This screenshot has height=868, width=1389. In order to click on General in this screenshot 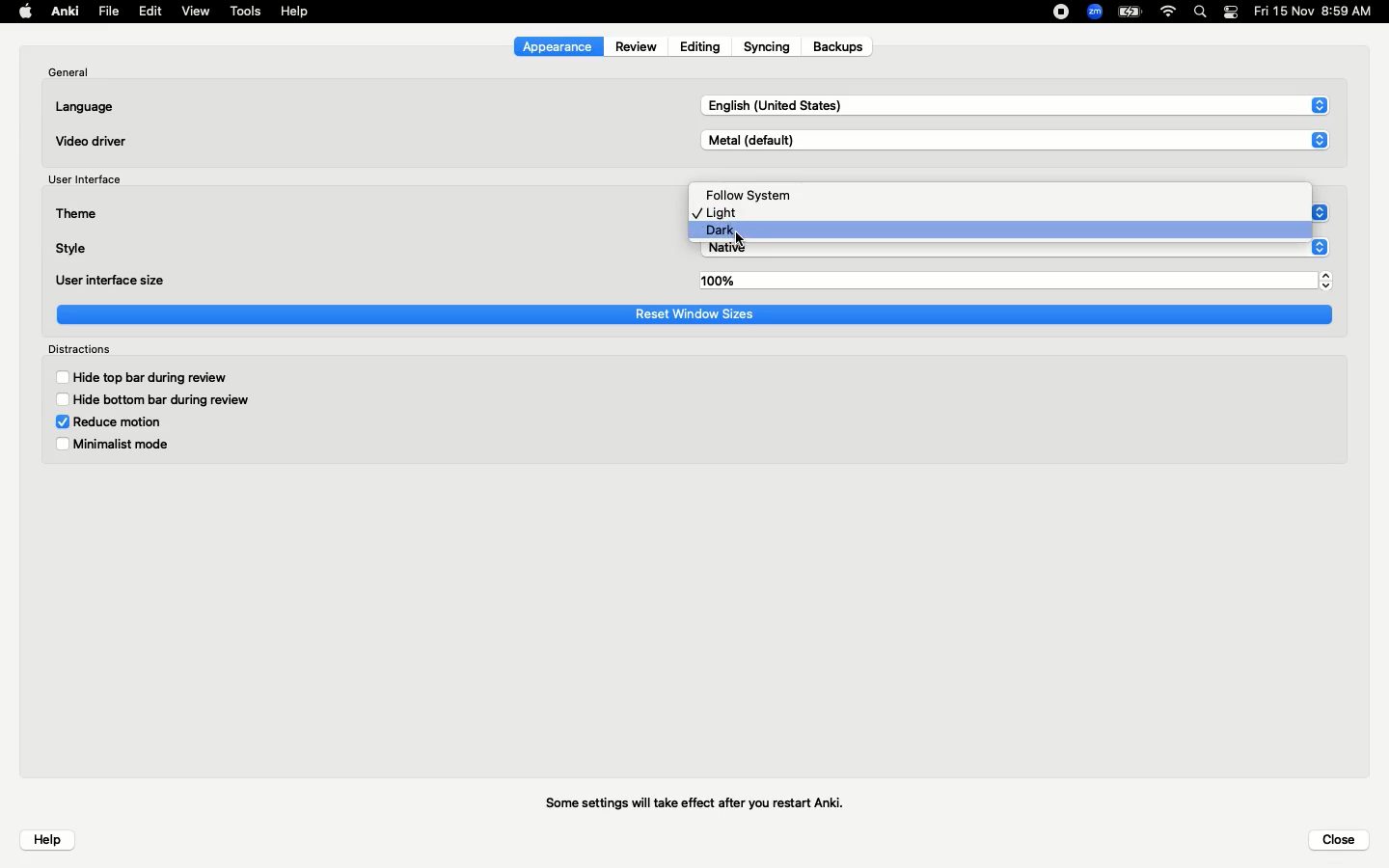, I will do `click(72, 69)`.